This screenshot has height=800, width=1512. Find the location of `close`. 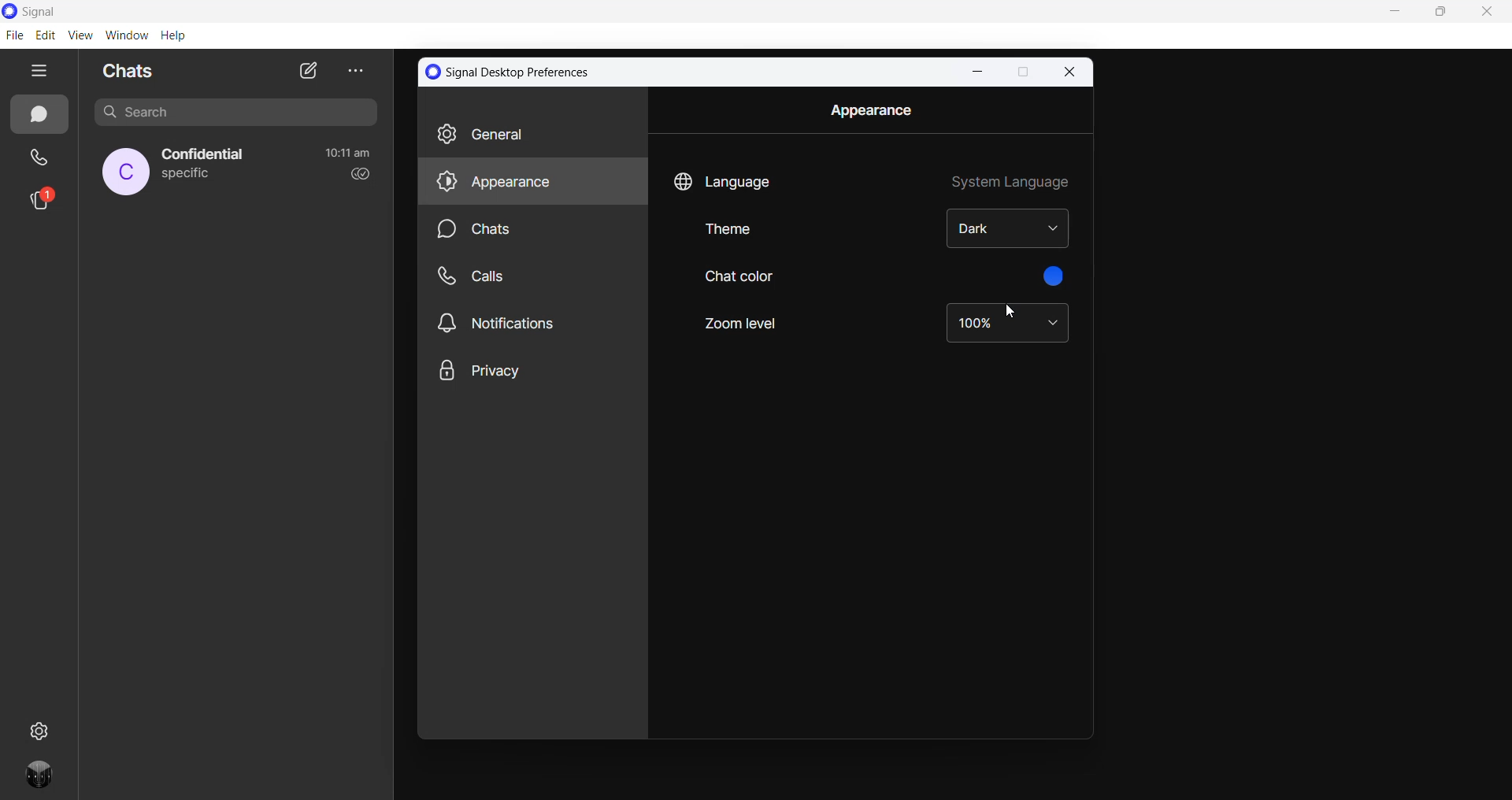

close is located at coordinates (1071, 72).